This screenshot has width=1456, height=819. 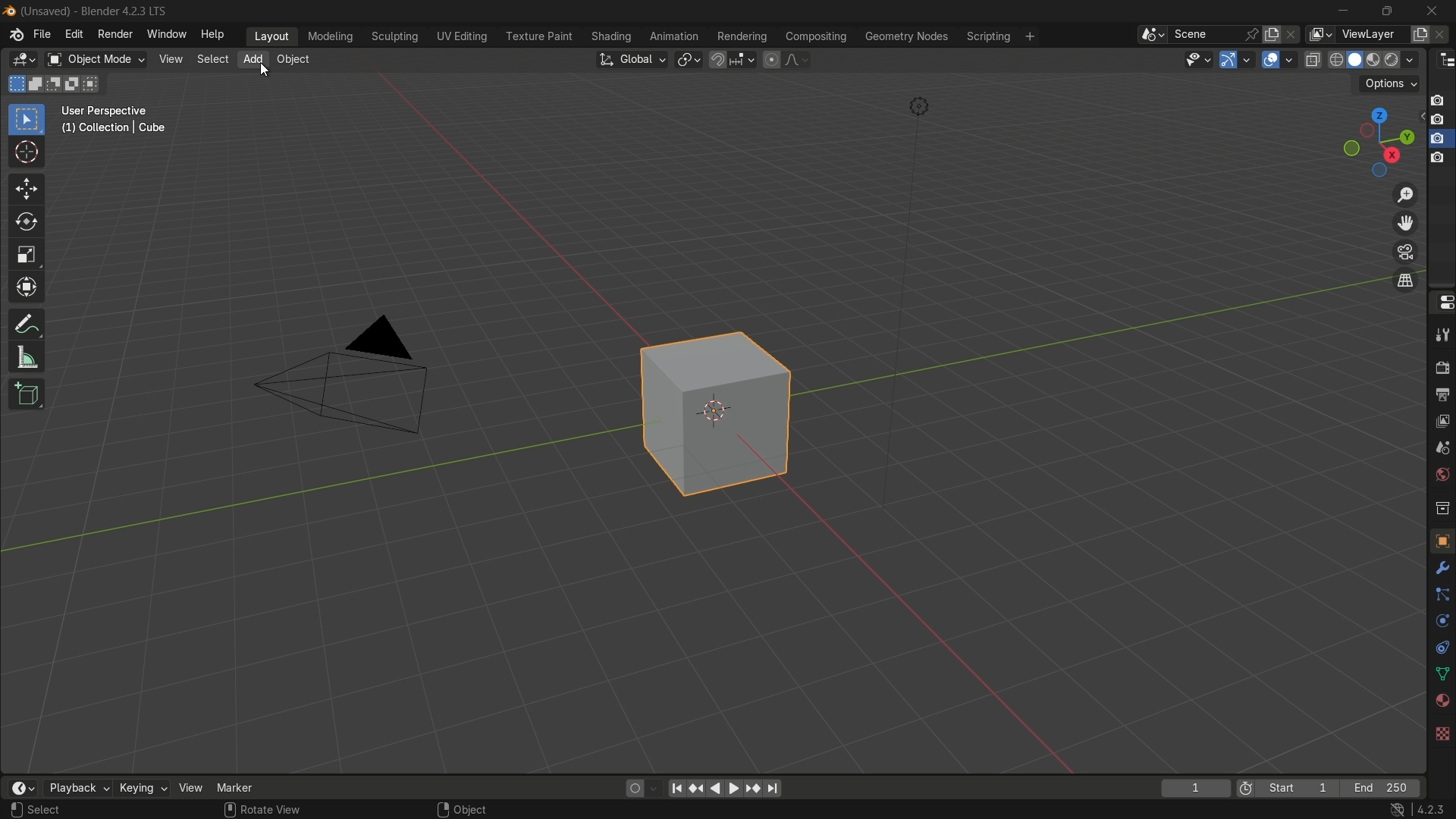 I want to click on Object, so click(x=471, y=809).